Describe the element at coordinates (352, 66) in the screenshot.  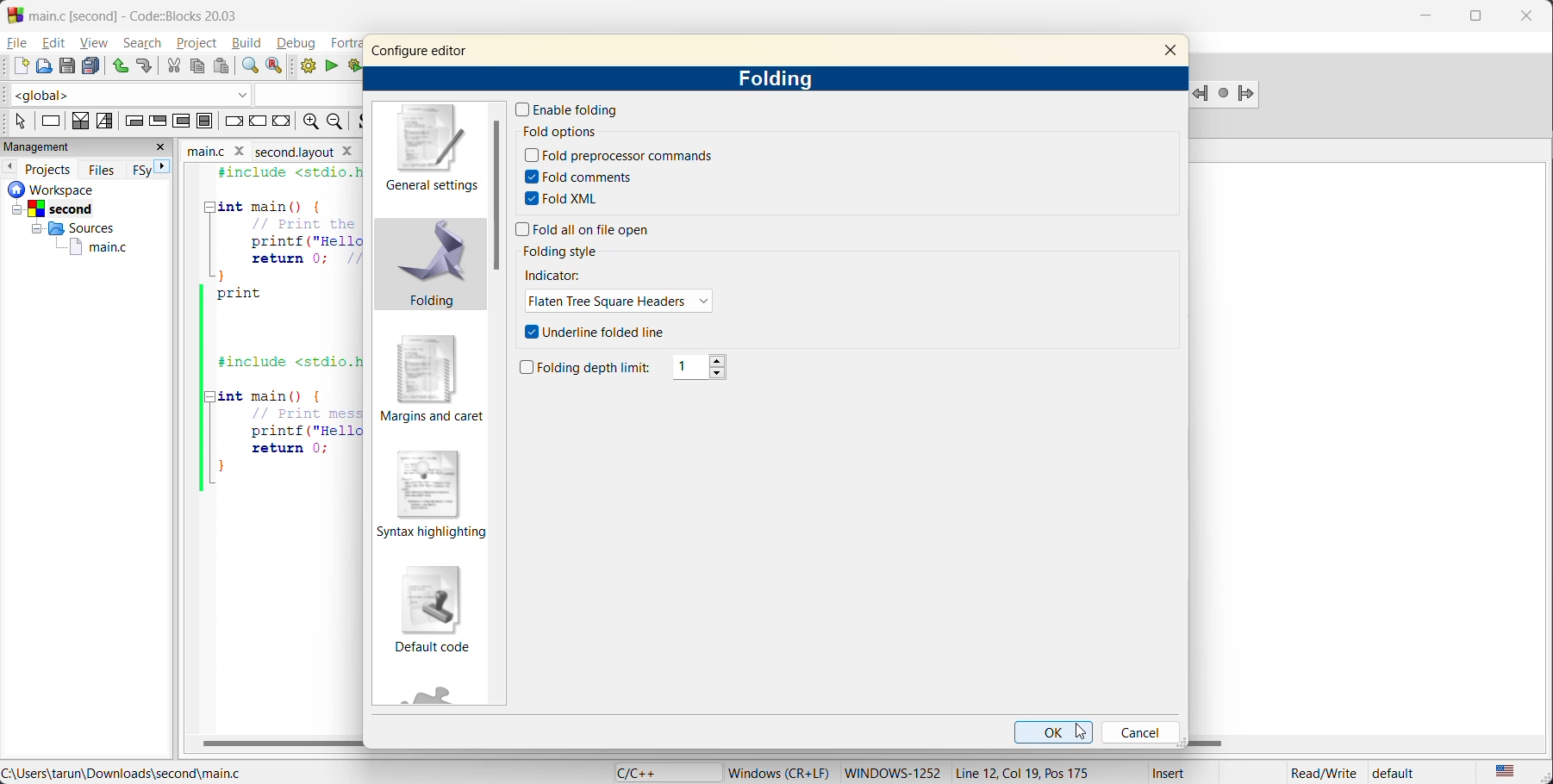
I see `build and run` at that location.